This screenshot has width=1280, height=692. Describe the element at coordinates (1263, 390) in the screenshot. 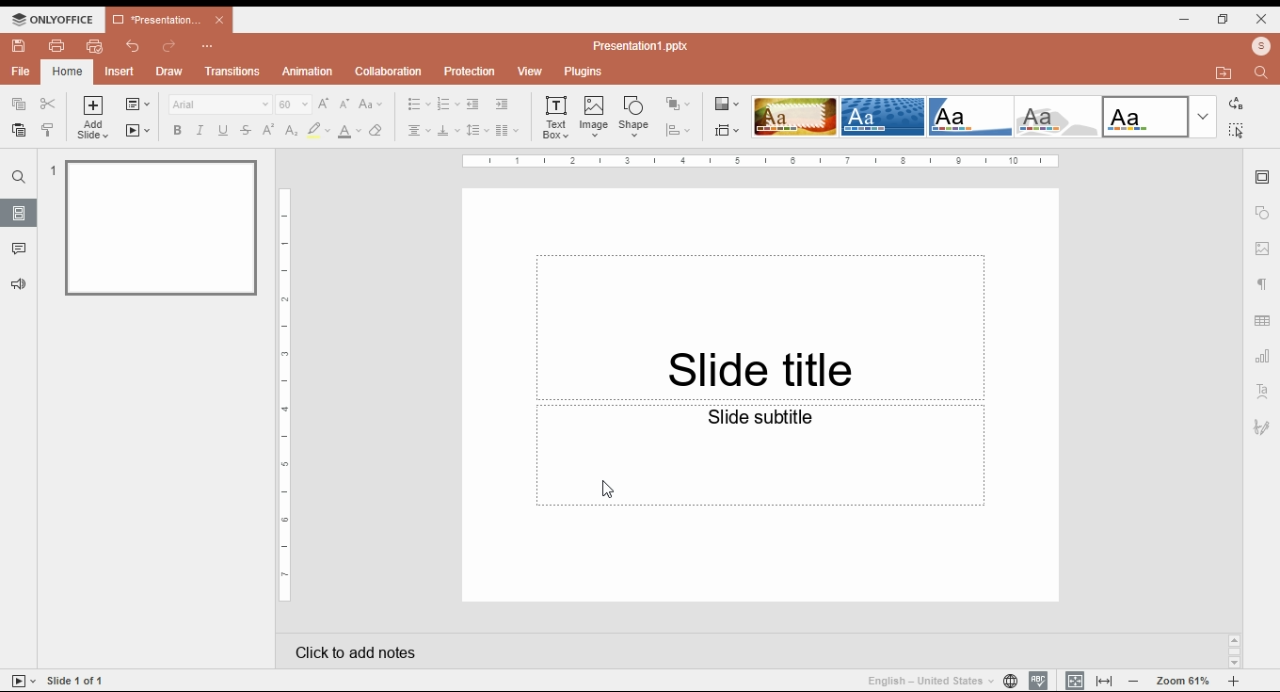

I see `text art settings` at that location.